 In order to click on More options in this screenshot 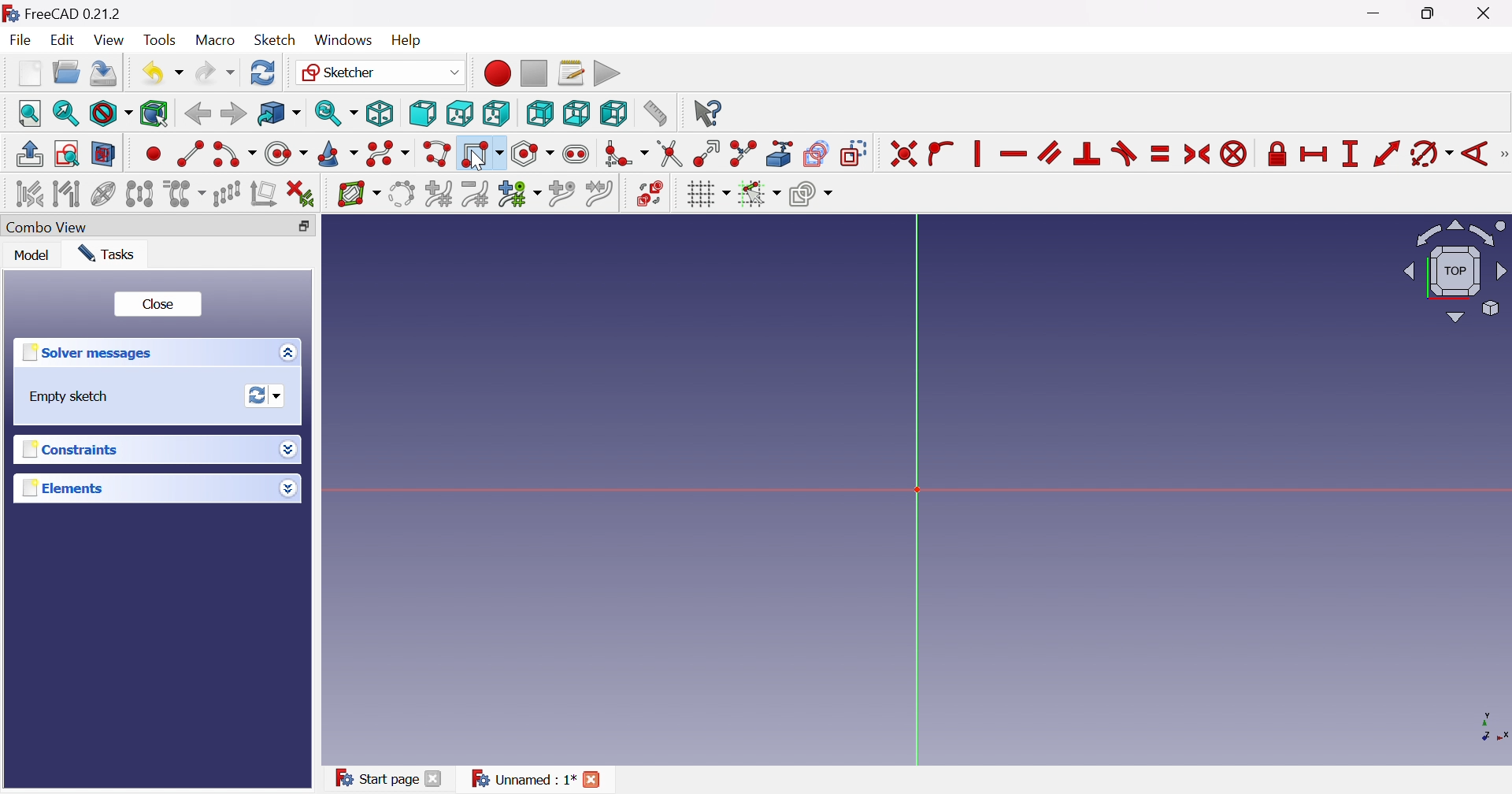, I will do `click(291, 449)`.